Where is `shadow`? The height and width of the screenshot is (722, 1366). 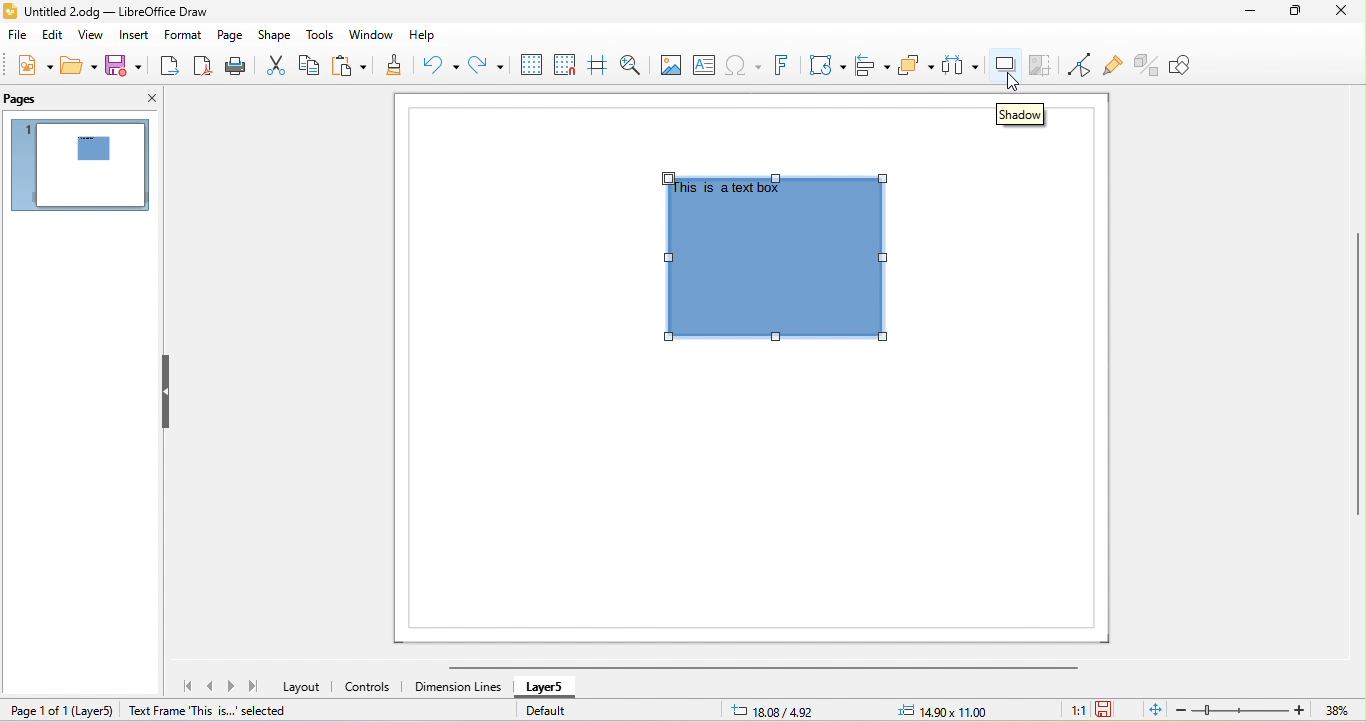
shadow is located at coordinates (1022, 116).